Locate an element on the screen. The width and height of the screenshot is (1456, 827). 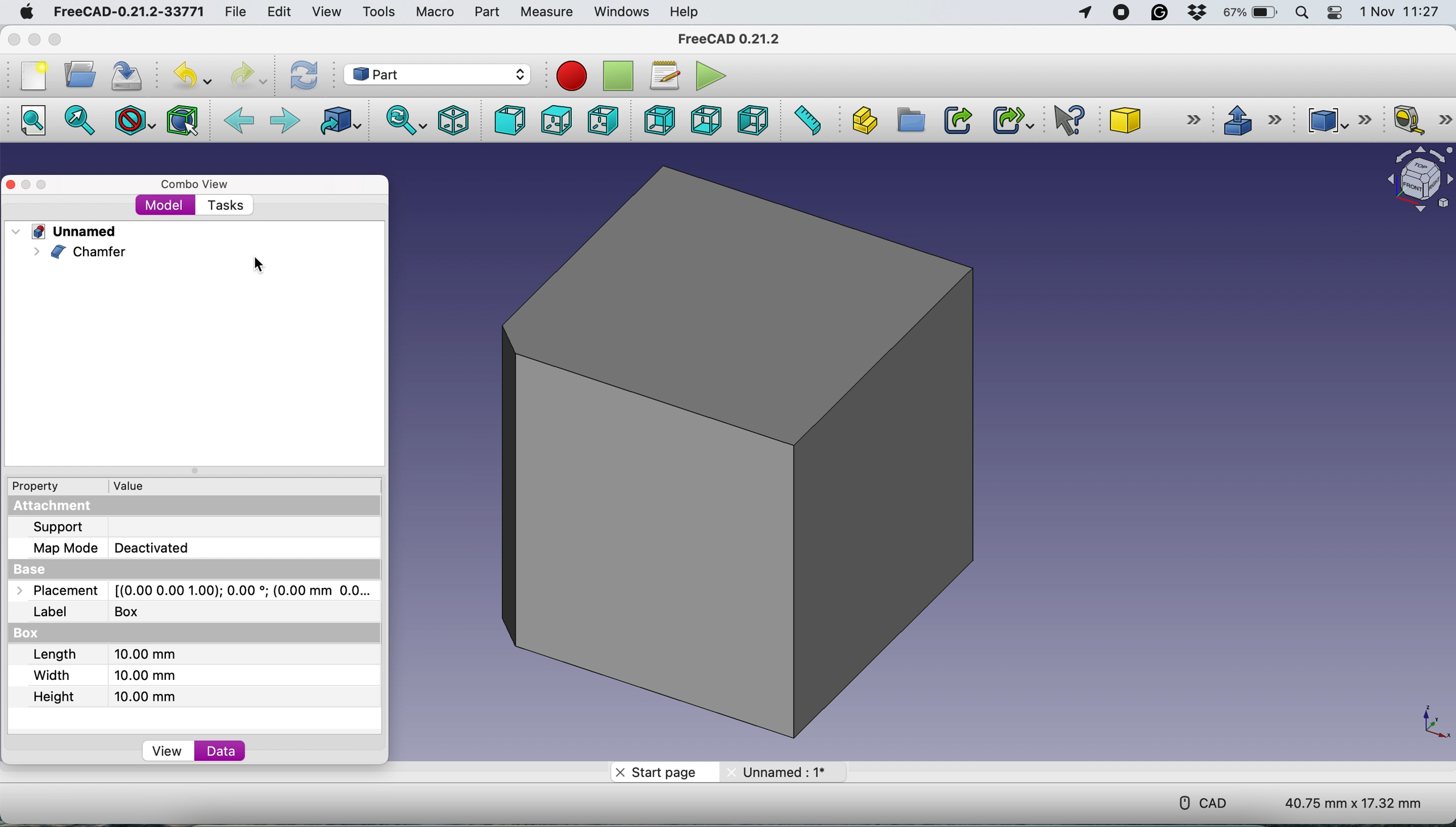
measure is located at coordinates (550, 12).